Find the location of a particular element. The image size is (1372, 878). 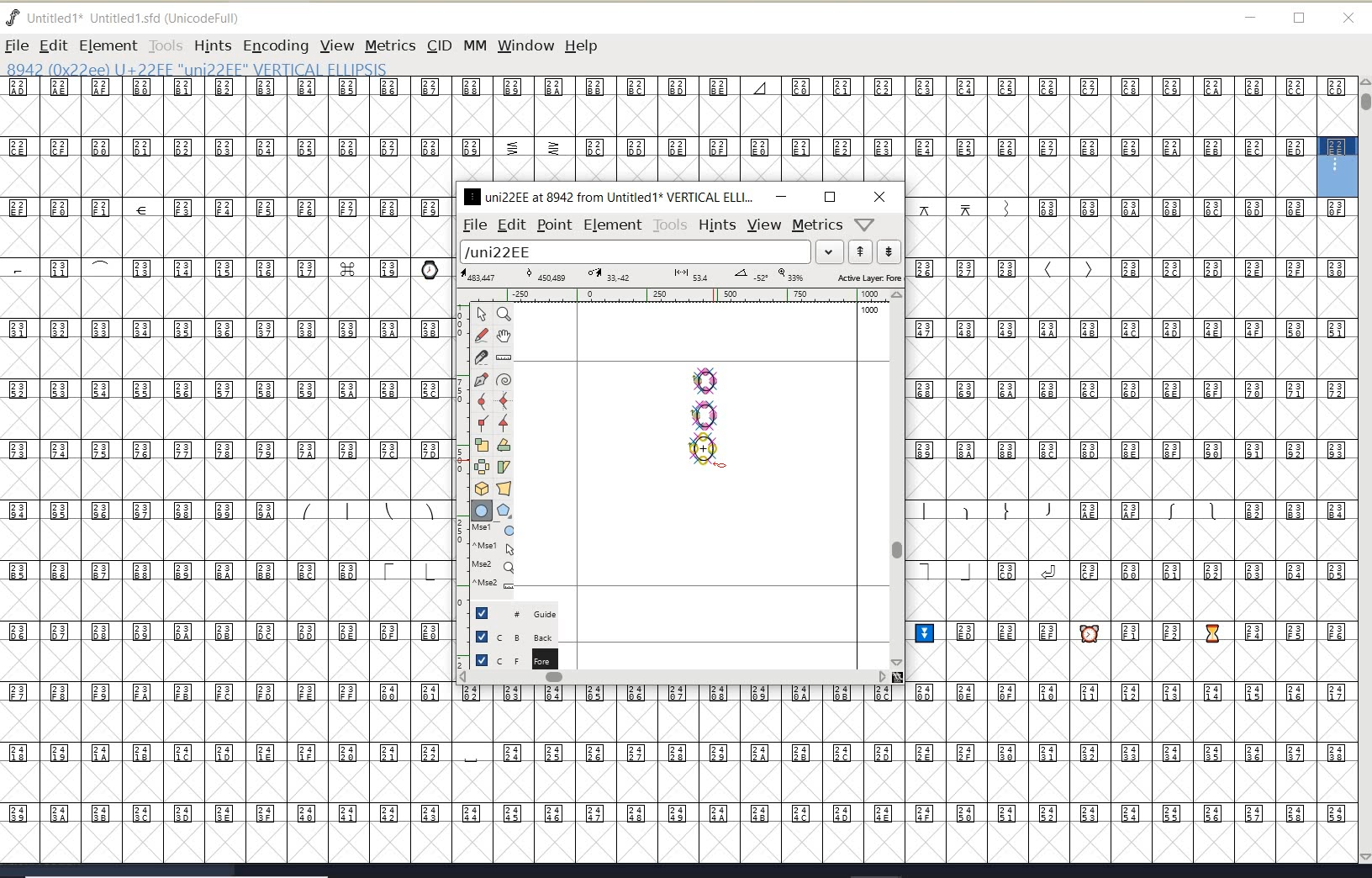

mm is located at coordinates (473, 43).